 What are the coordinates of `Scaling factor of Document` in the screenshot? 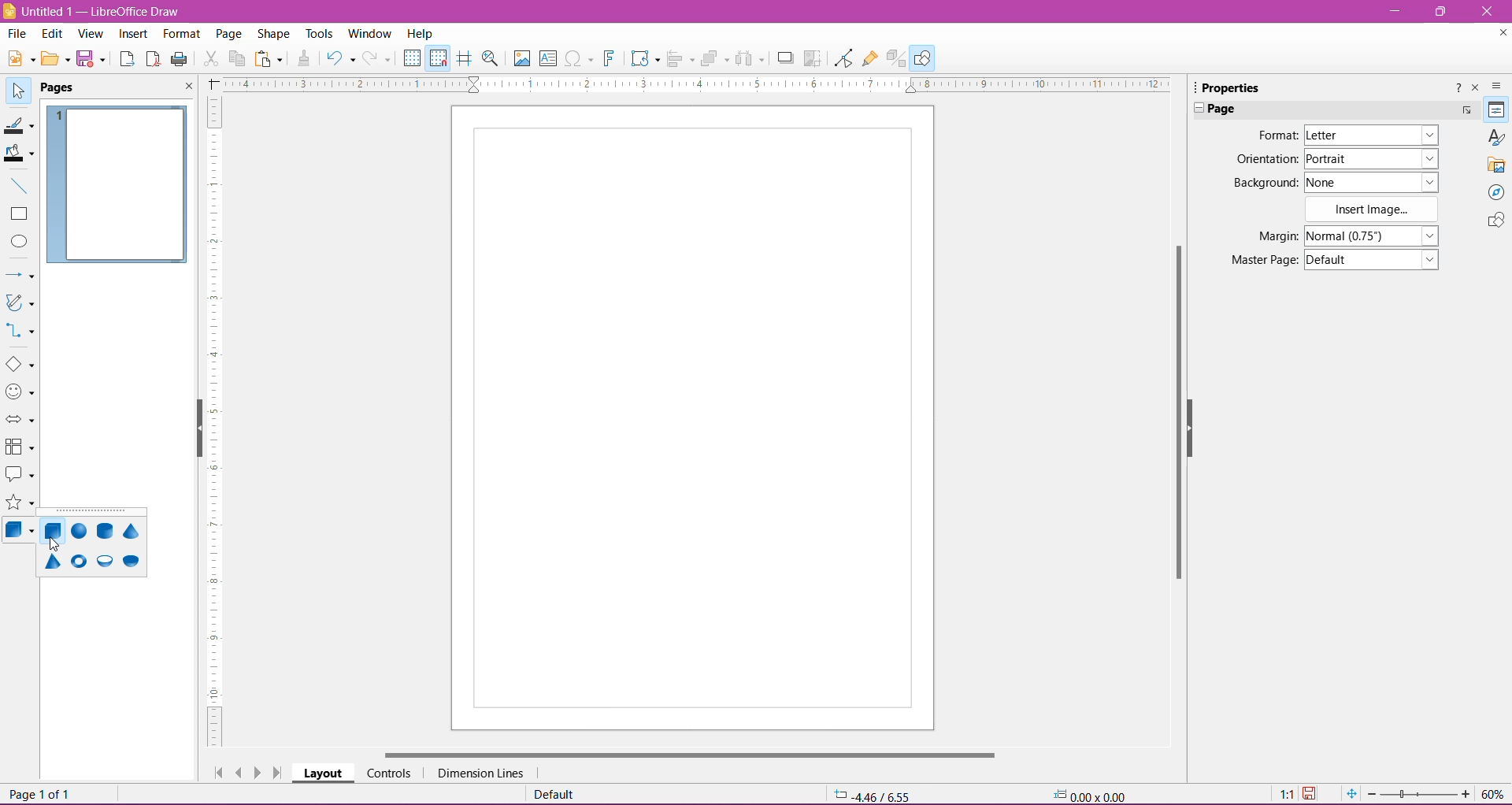 It's located at (1286, 795).